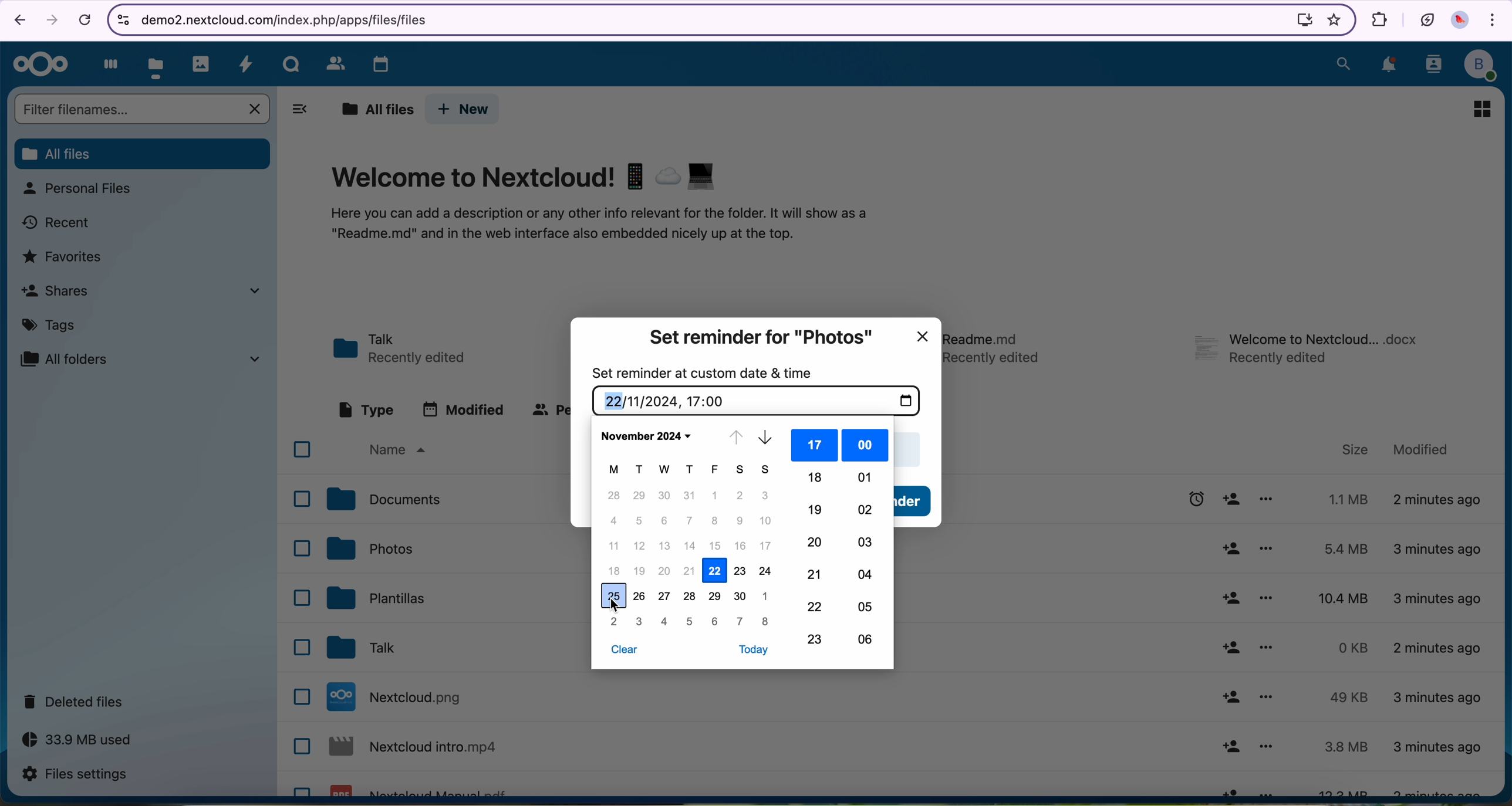  I want to click on saturday, so click(742, 470).